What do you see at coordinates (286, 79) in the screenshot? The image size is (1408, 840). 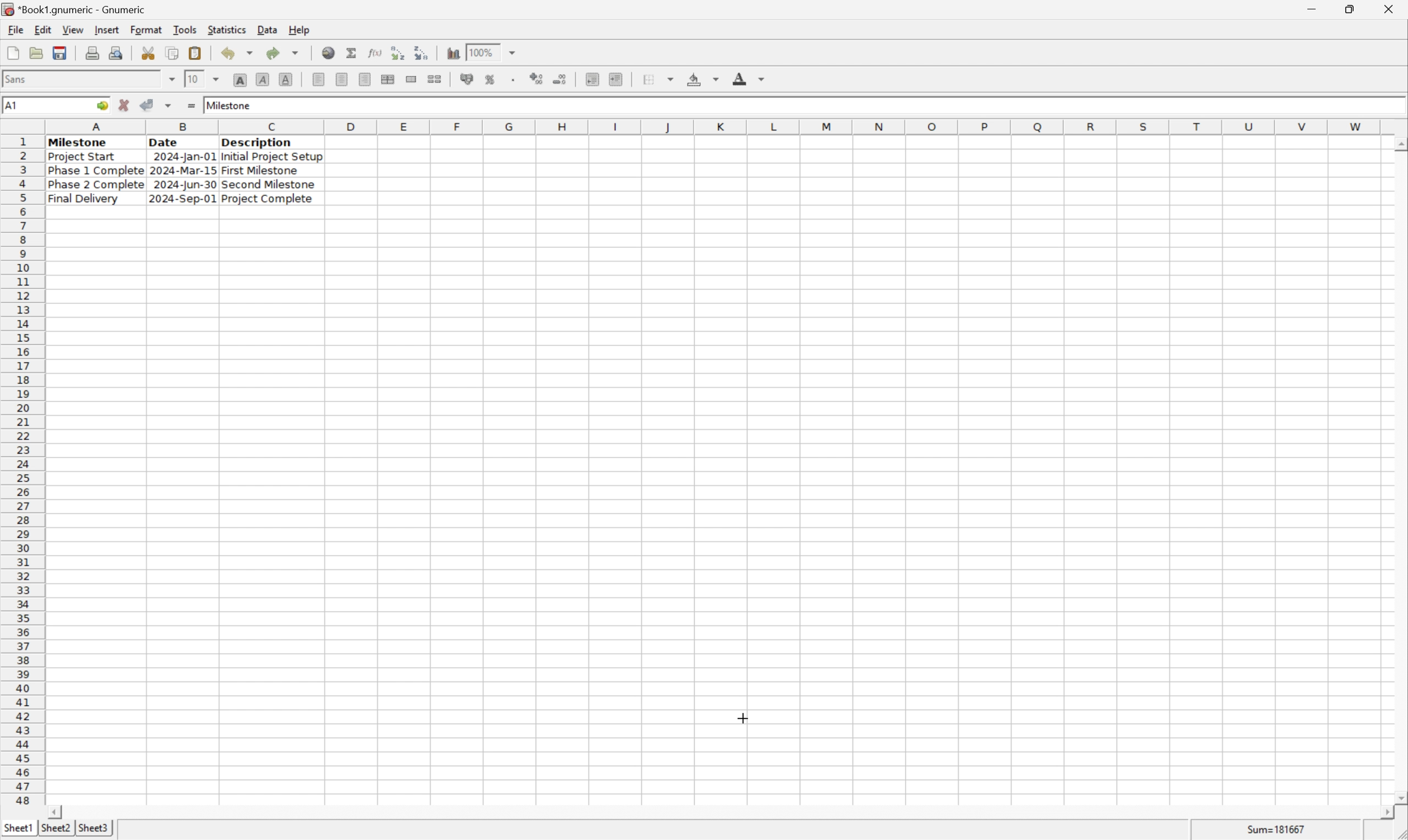 I see `underline` at bounding box center [286, 79].